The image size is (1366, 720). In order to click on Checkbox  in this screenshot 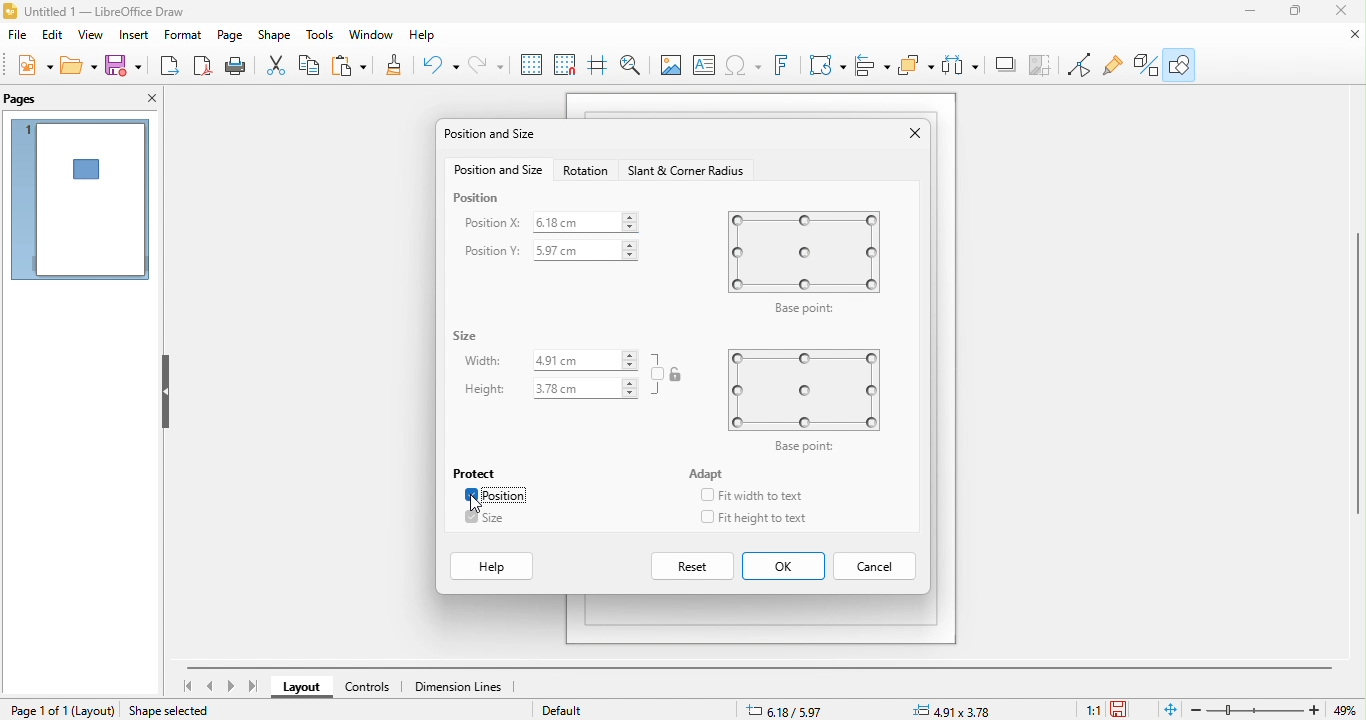, I will do `click(706, 517)`.